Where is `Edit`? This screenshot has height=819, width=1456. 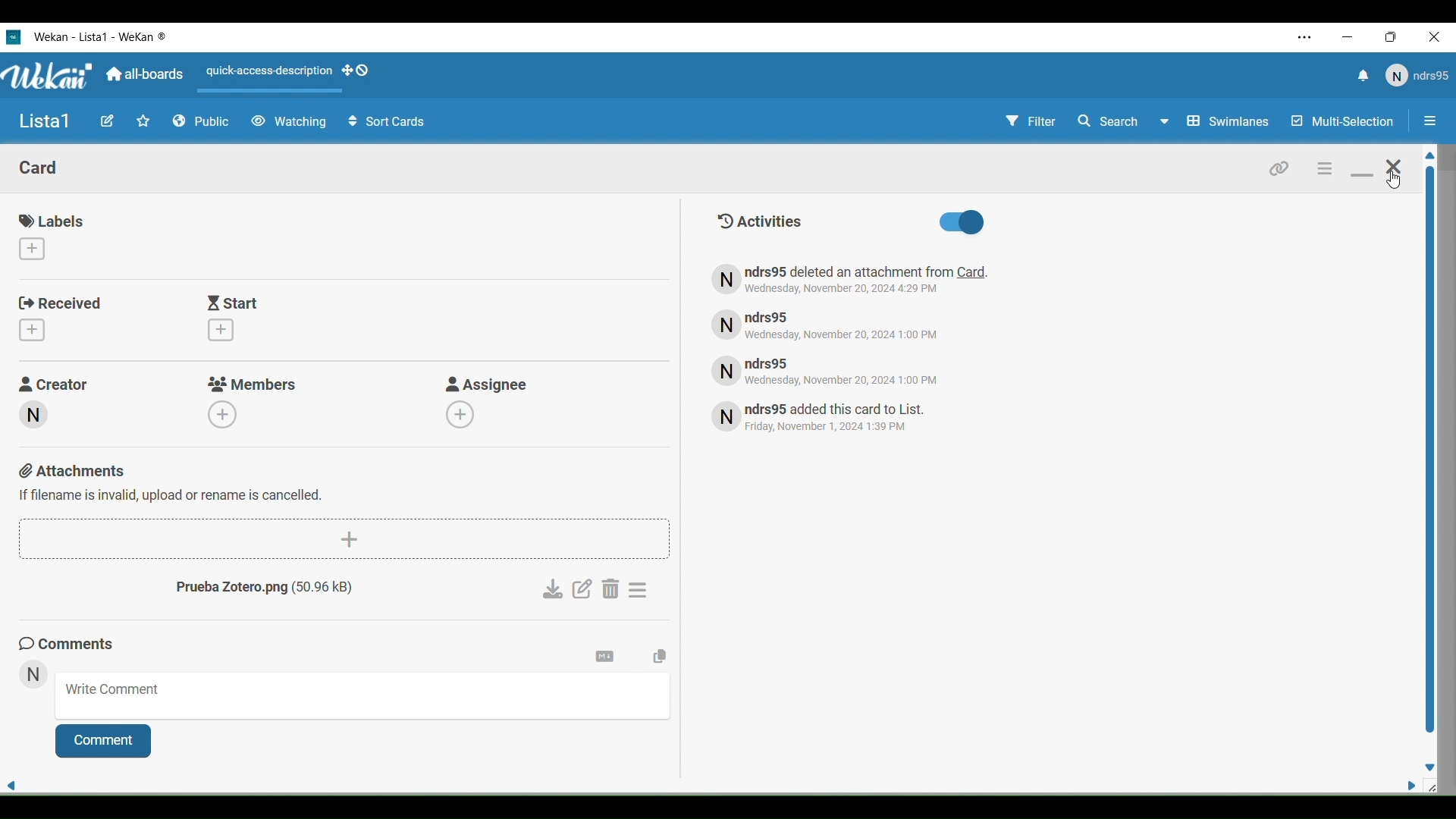 Edit is located at coordinates (576, 588).